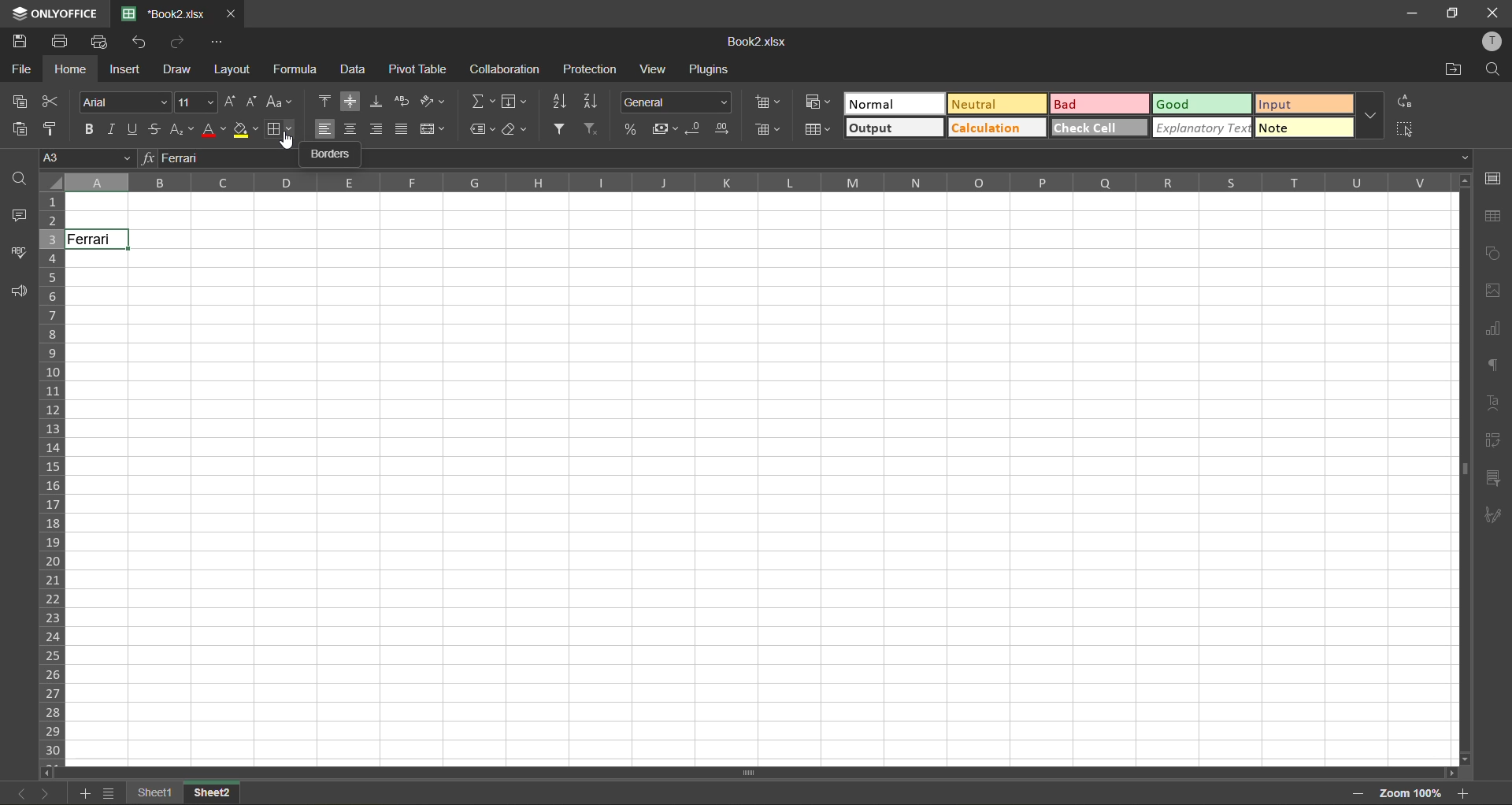  What do you see at coordinates (1492, 70) in the screenshot?
I see `find` at bounding box center [1492, 70].